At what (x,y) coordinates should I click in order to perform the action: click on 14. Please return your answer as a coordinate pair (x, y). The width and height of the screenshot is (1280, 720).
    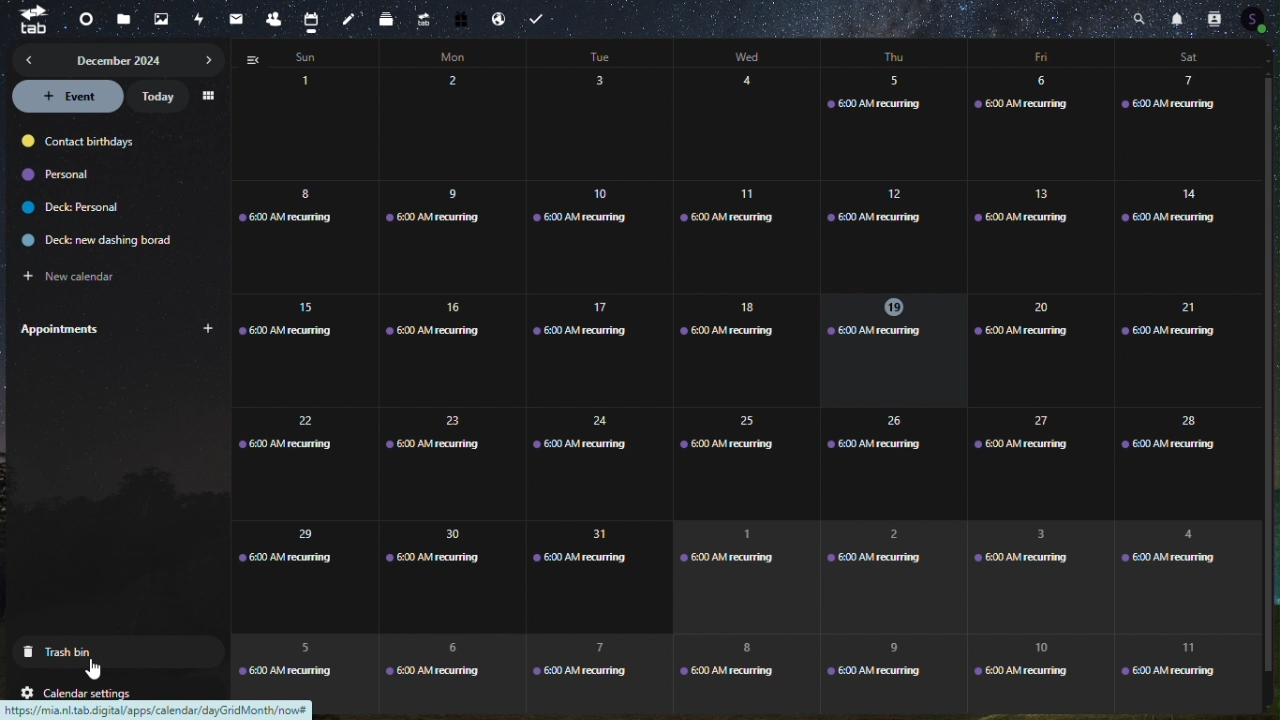
    Looking at the image, I should click on (1189, 235).